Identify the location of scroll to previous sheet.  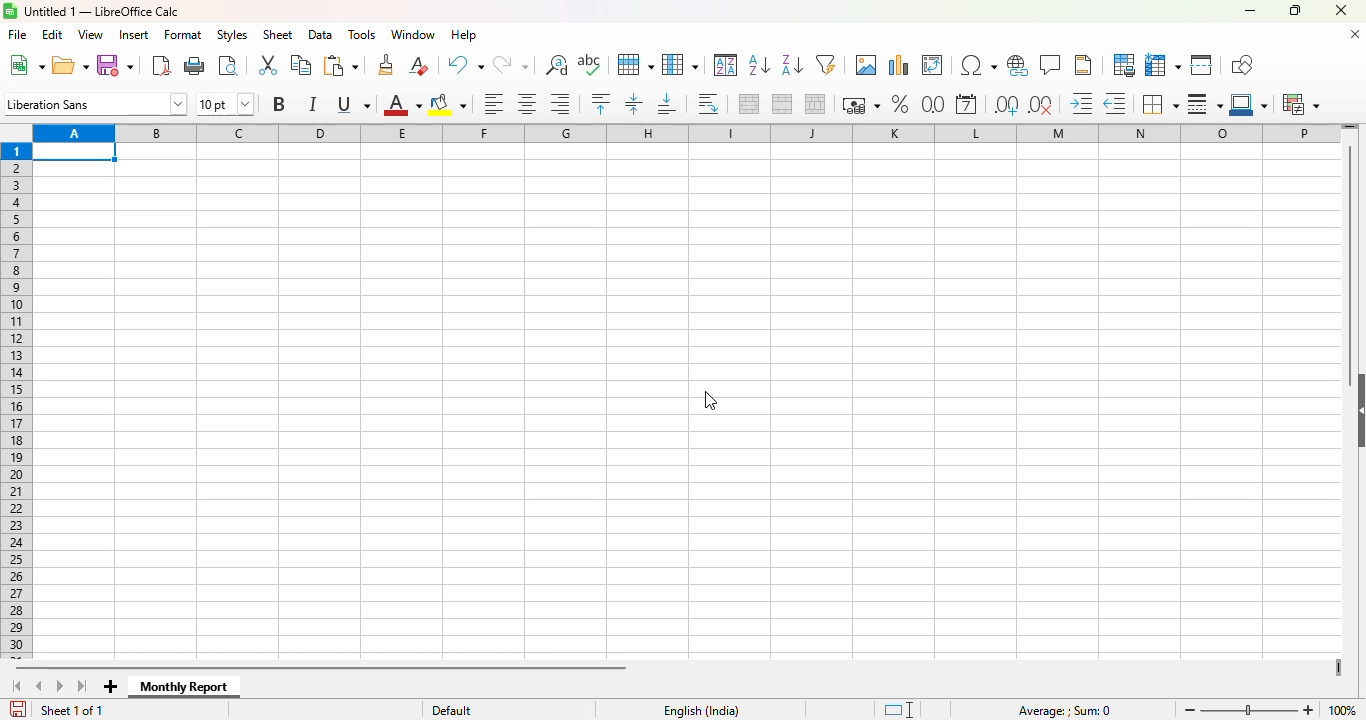
(39, 687).